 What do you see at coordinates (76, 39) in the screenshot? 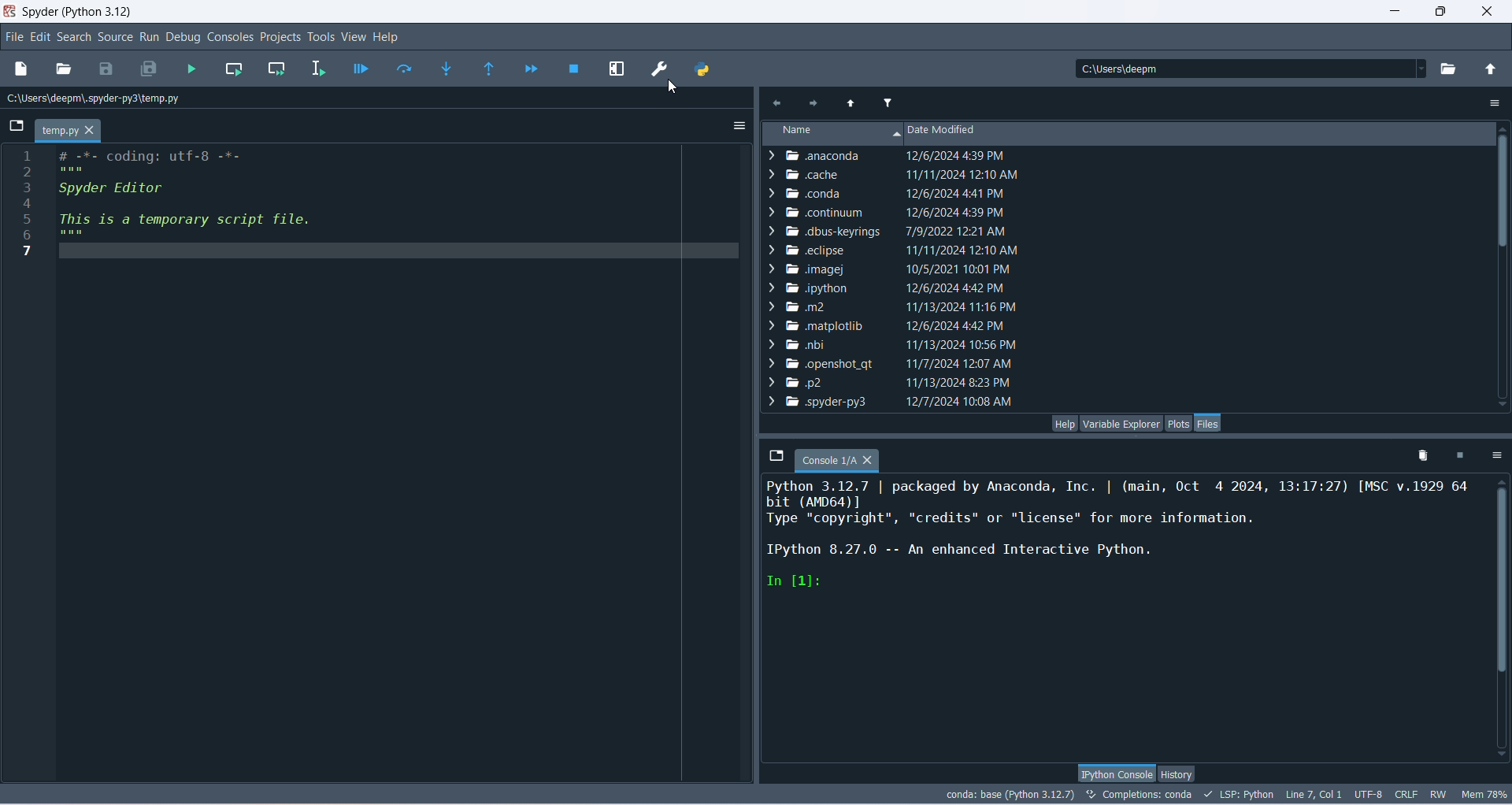
I see `search` at bounding box center [76, 39].